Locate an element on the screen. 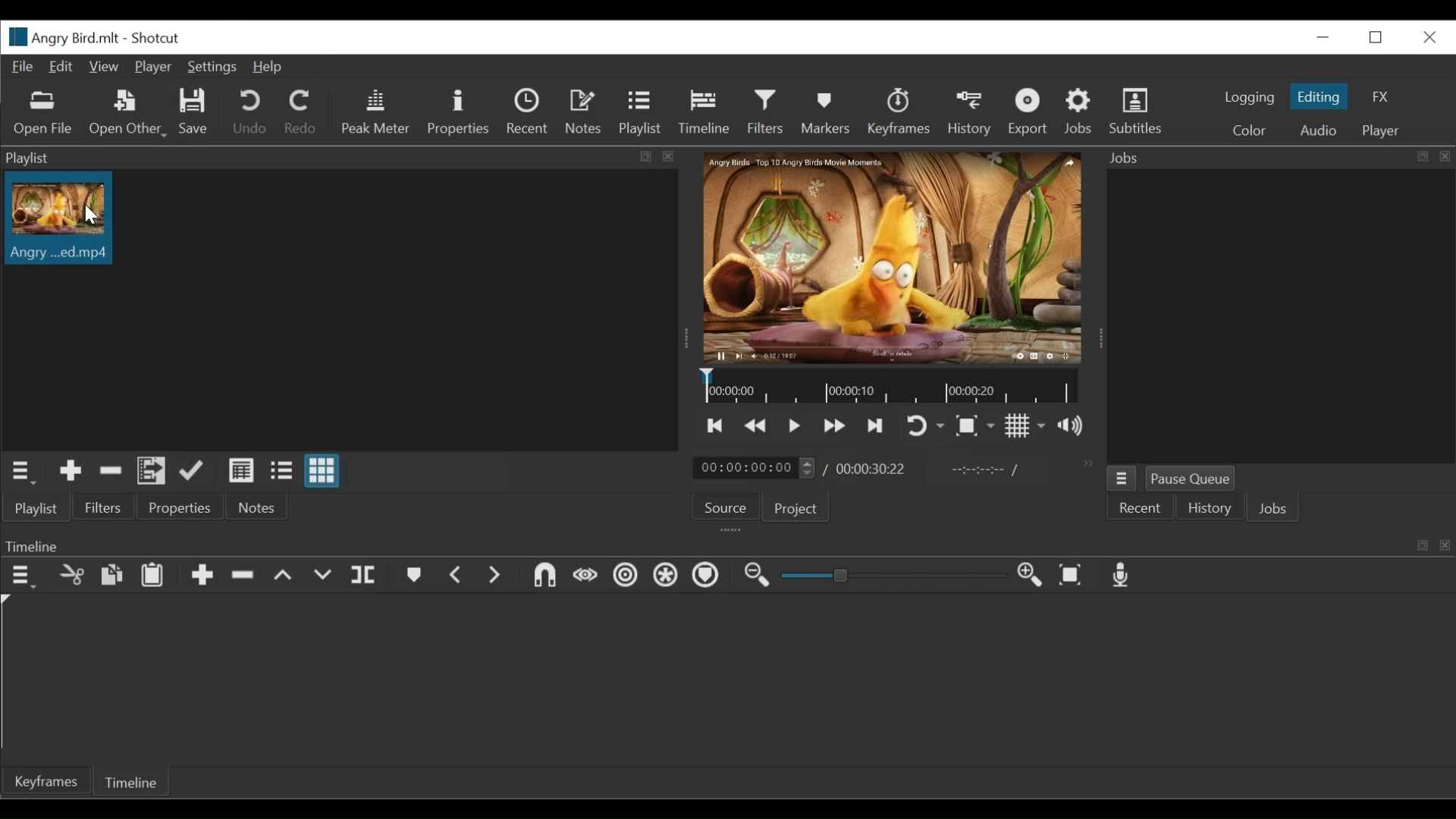 This screenshot has height=819, width=1456. Timeline is located at coordinates (728, 544).